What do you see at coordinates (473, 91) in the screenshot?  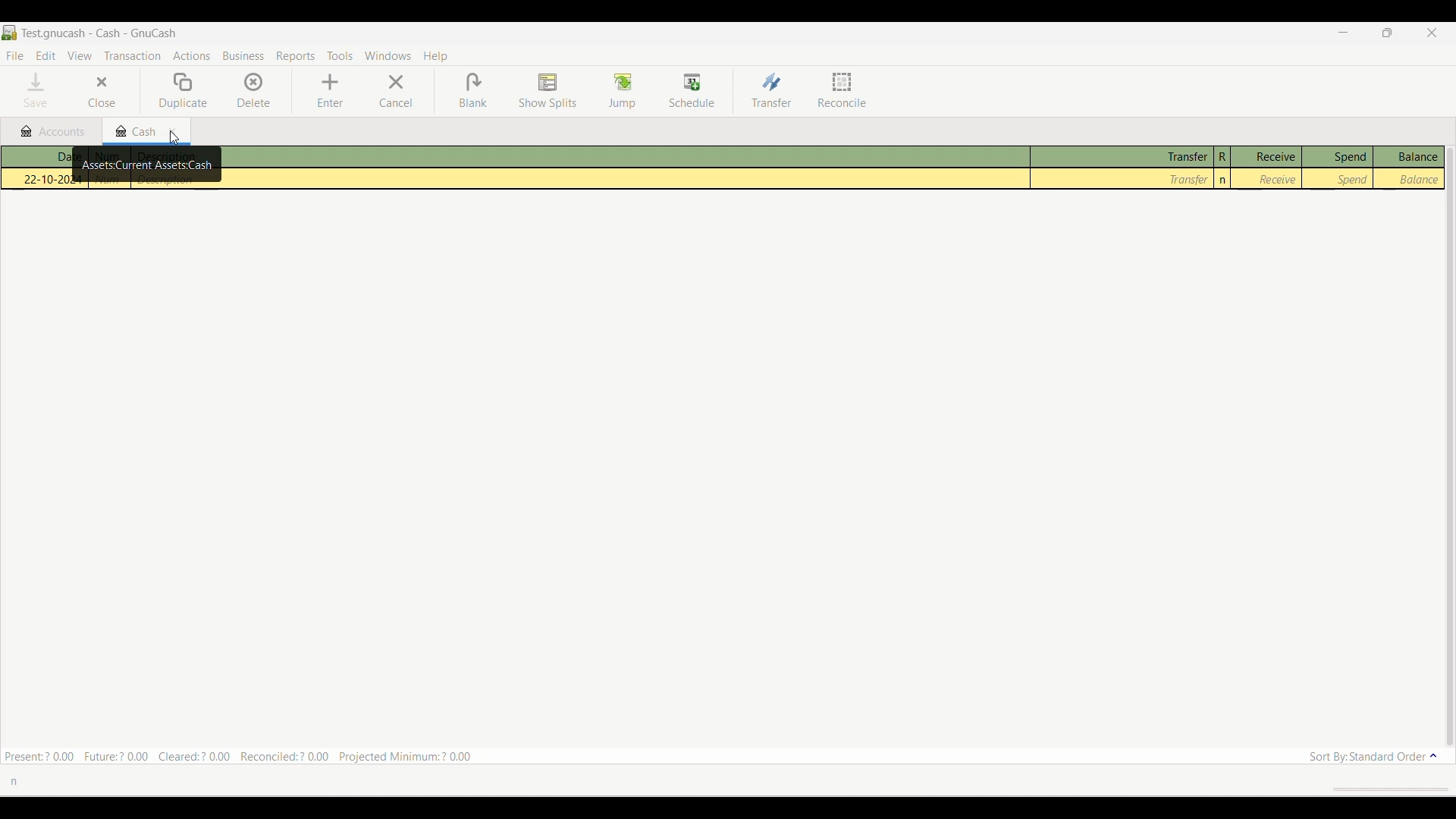 I see `Blank` at bounding box center [473, 91].